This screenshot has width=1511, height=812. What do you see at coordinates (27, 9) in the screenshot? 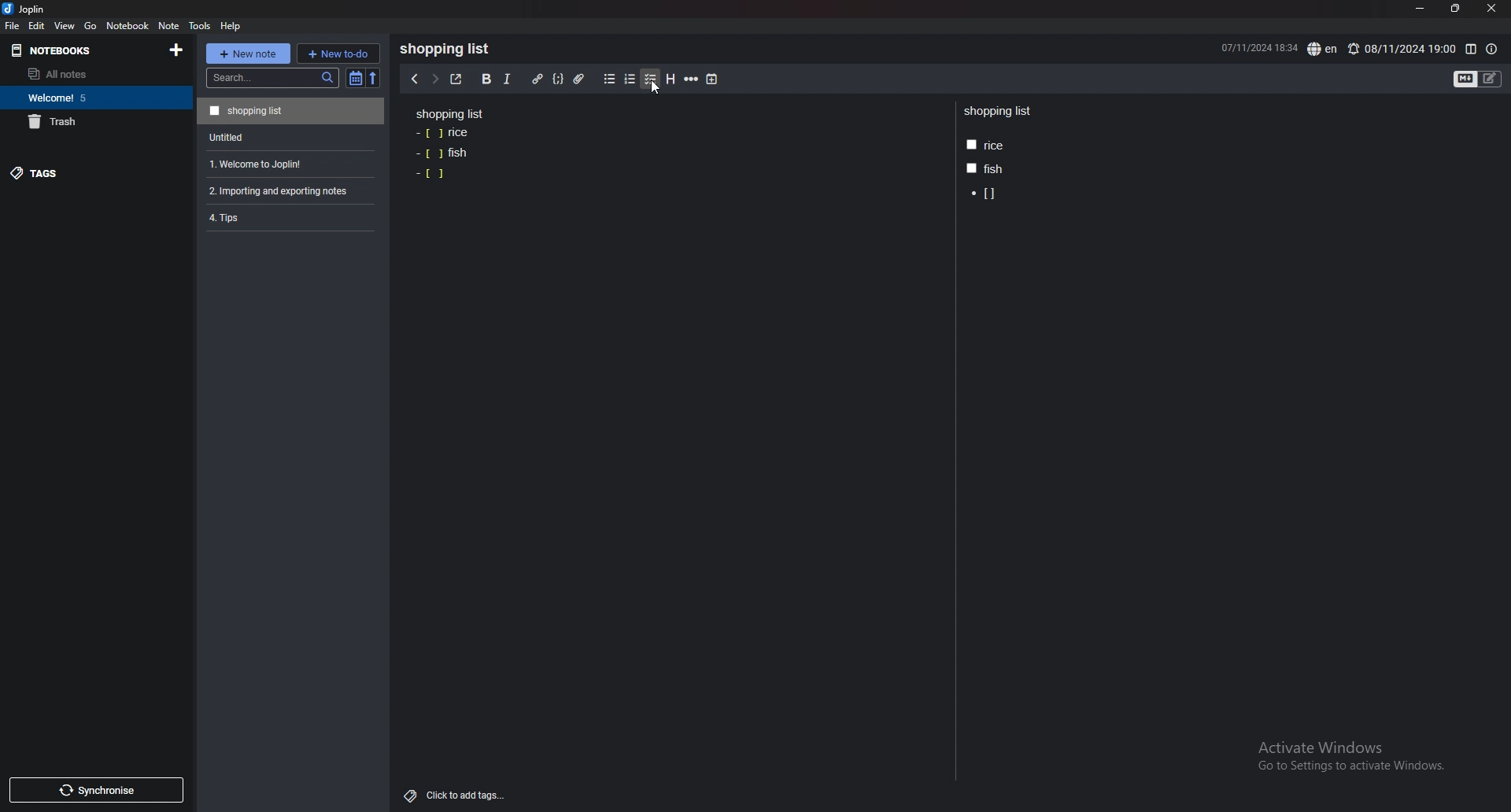
I see `joplin` at bounding box center [27, 9].